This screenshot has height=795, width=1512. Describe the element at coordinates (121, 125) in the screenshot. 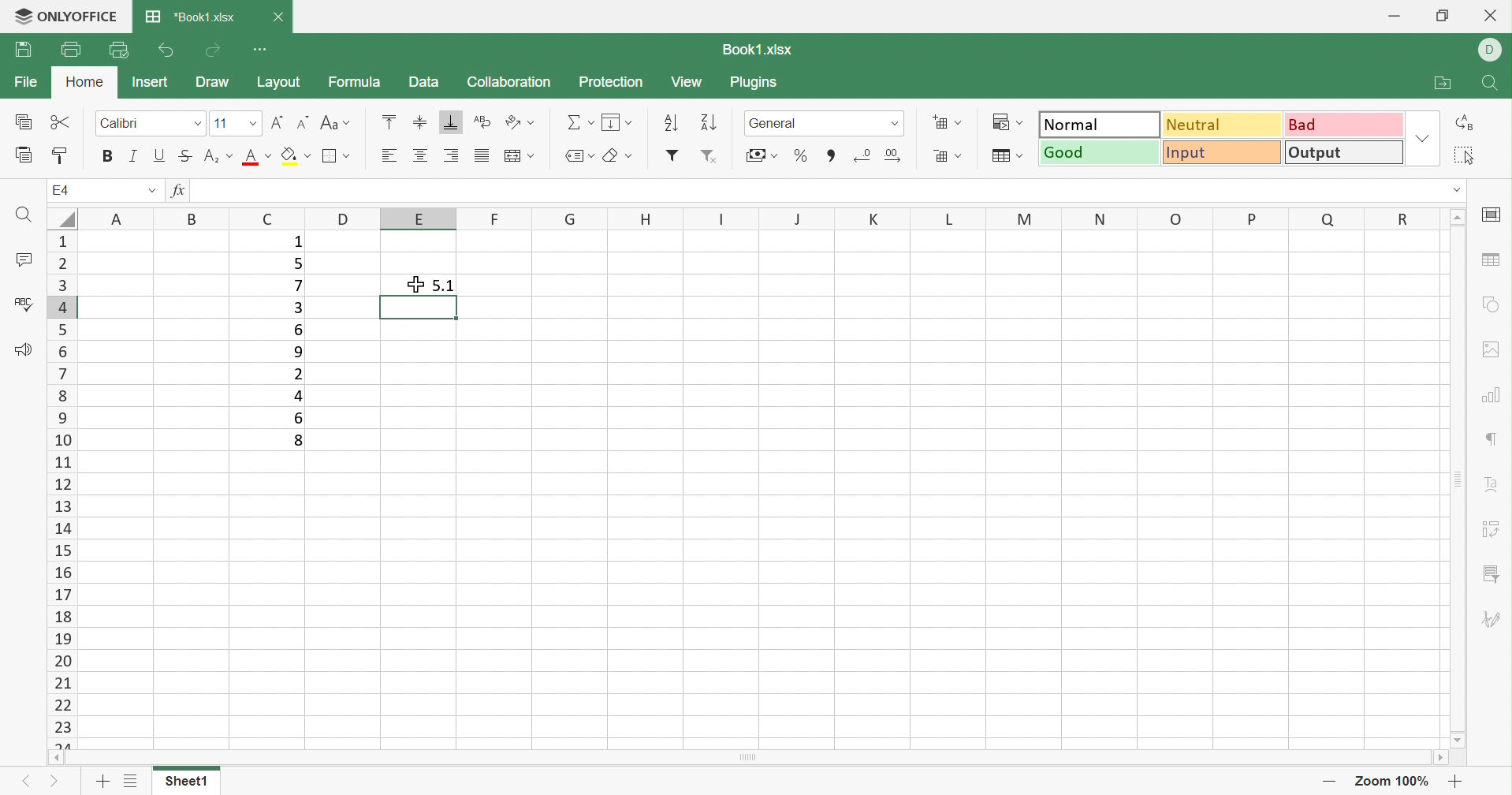

I see `Calibri` at that location.